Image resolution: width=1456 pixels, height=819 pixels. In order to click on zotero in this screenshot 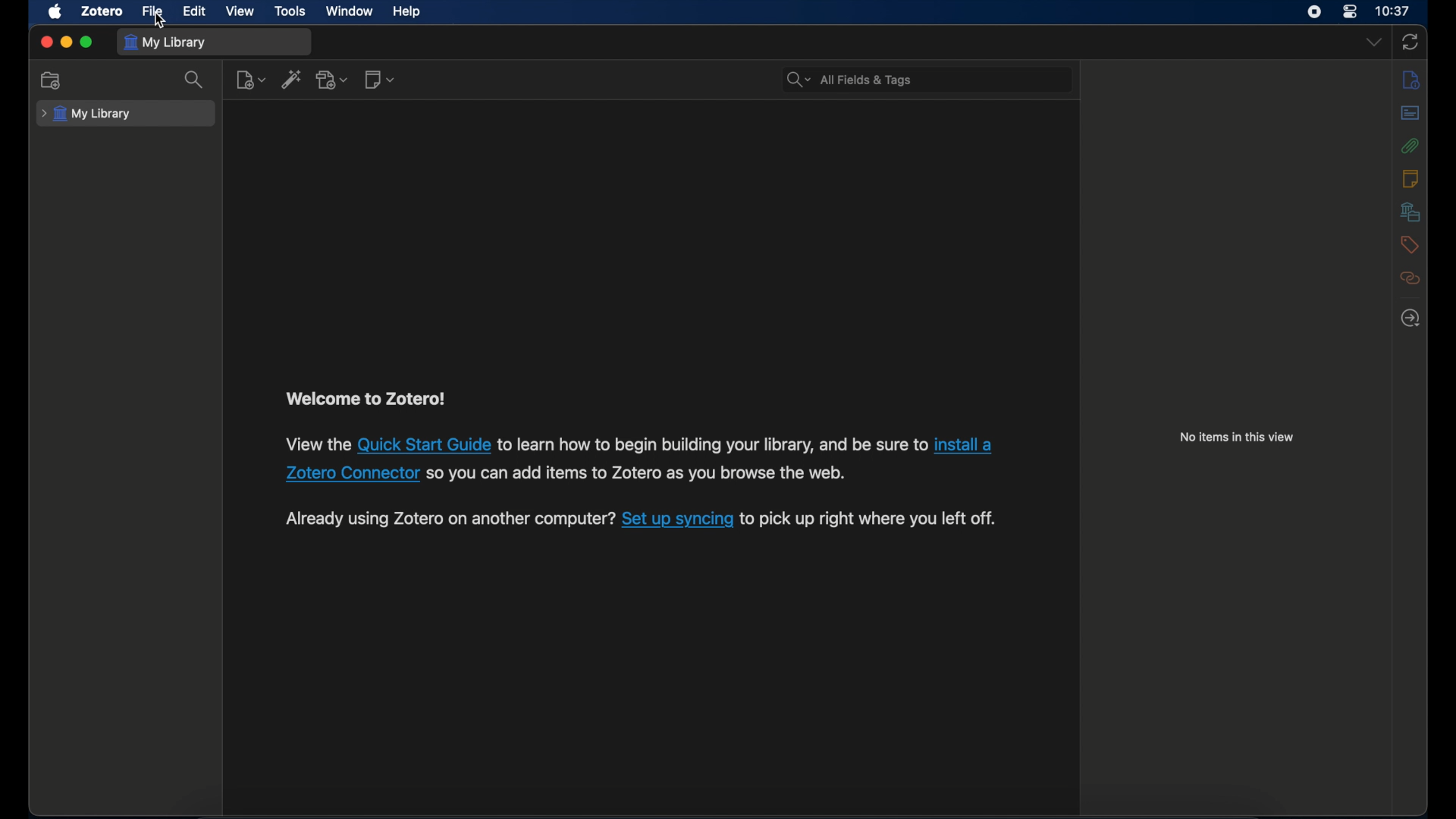, I will do `click(104, 11)`.